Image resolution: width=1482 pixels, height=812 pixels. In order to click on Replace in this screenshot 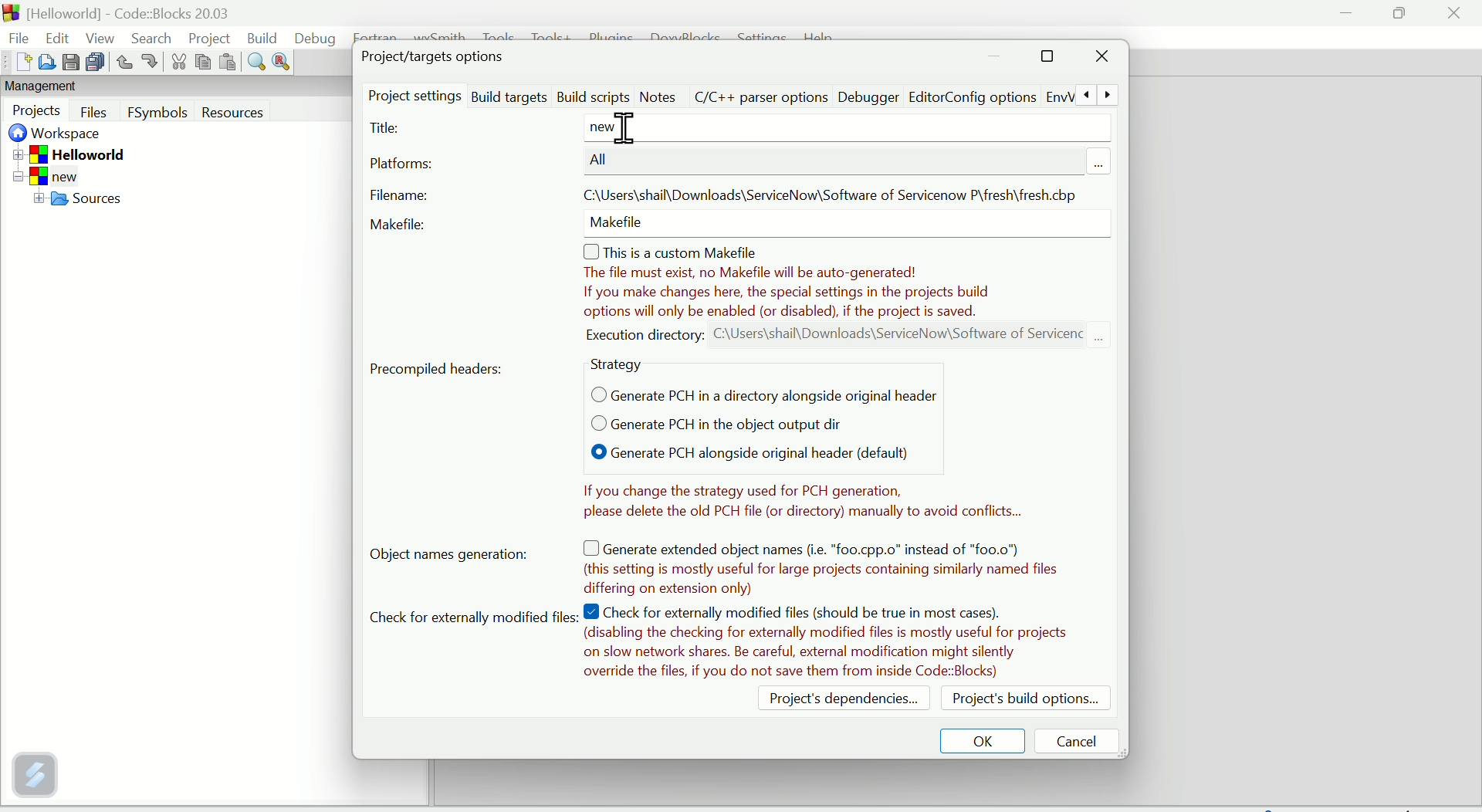, I will do `click(281, 62)`.